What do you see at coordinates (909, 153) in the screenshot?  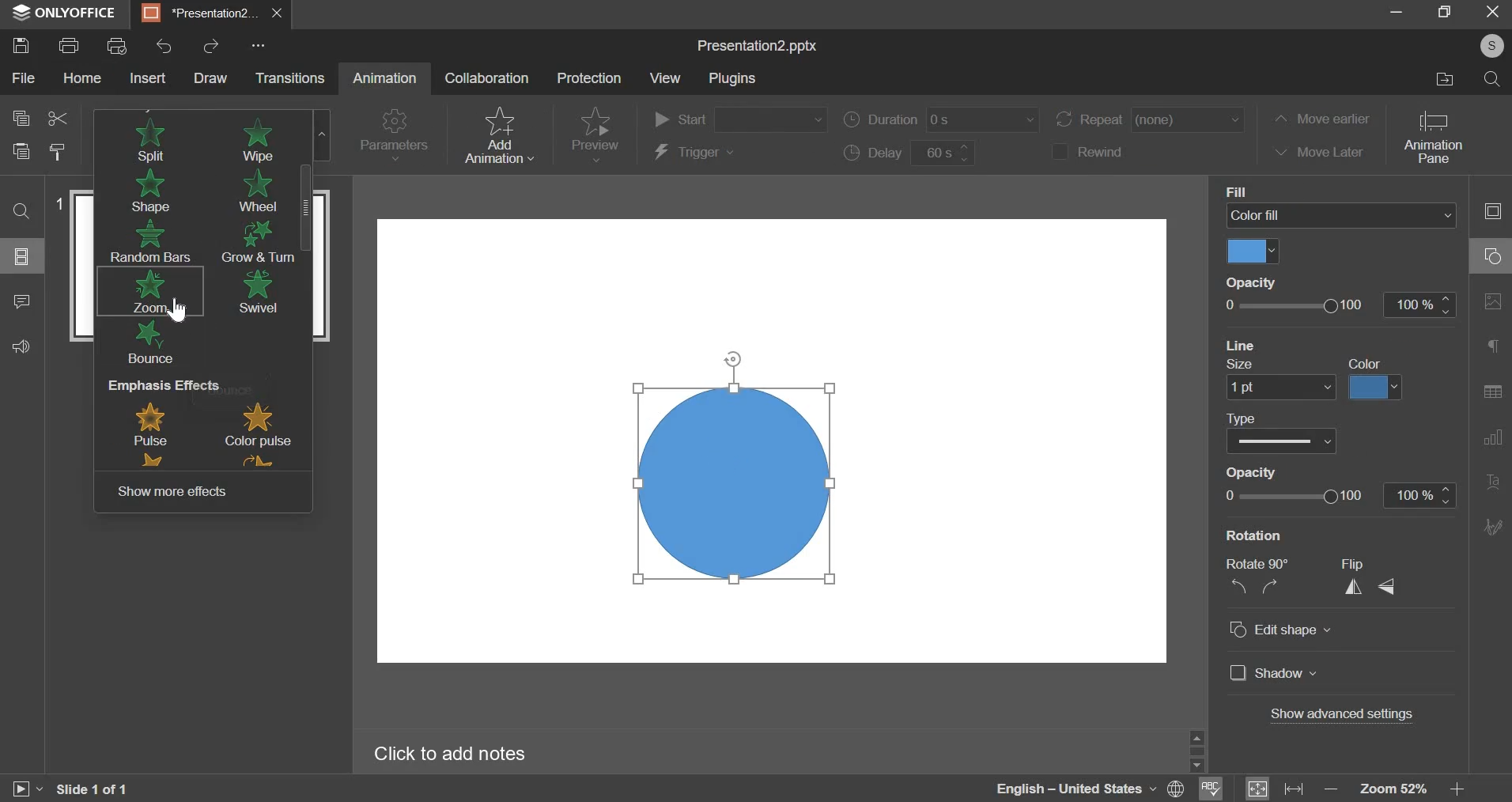 I see `delay` at bounding box center [909, 153].